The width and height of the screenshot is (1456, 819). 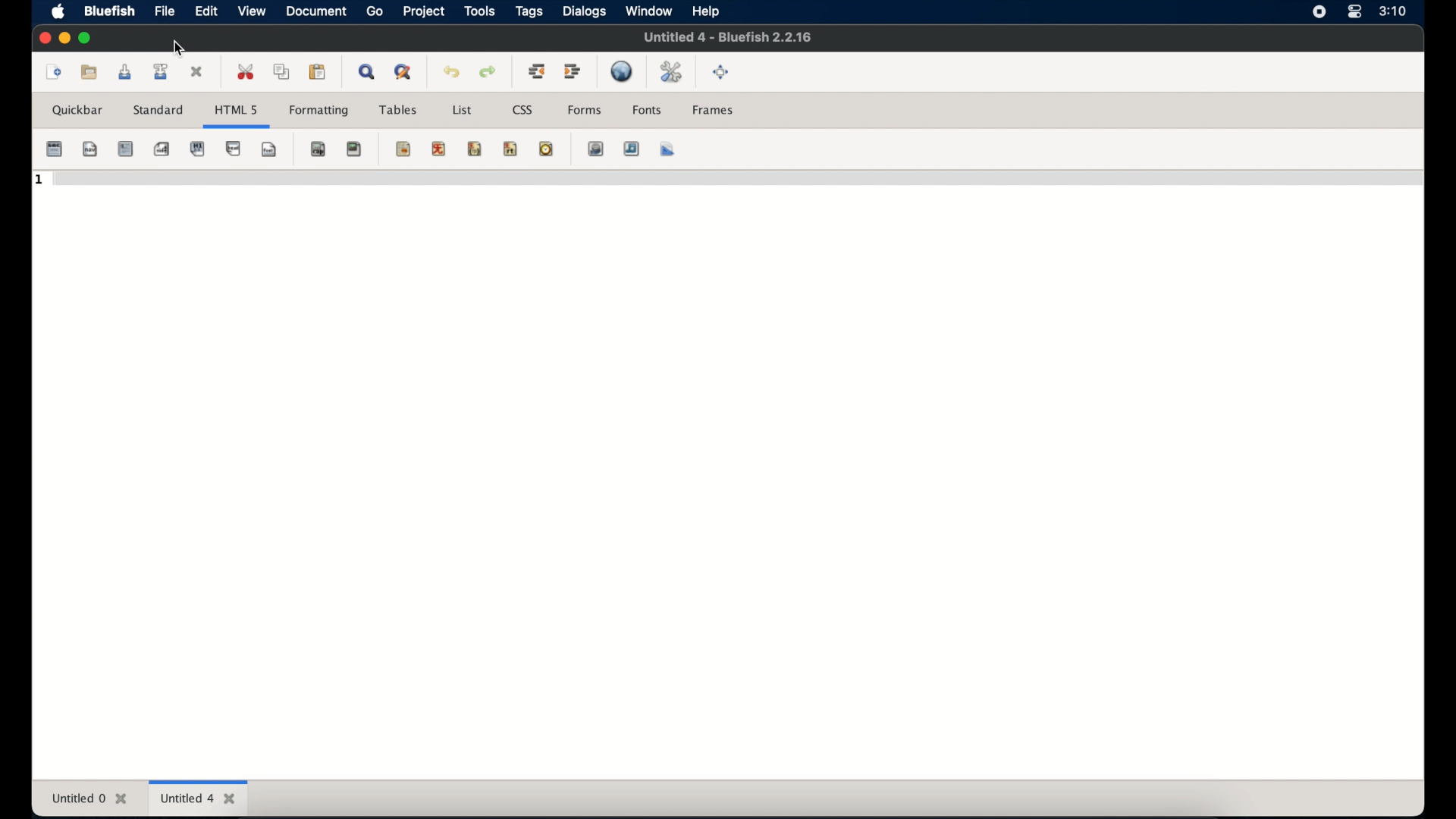 I want to click on document, so click(x=315, y=12).